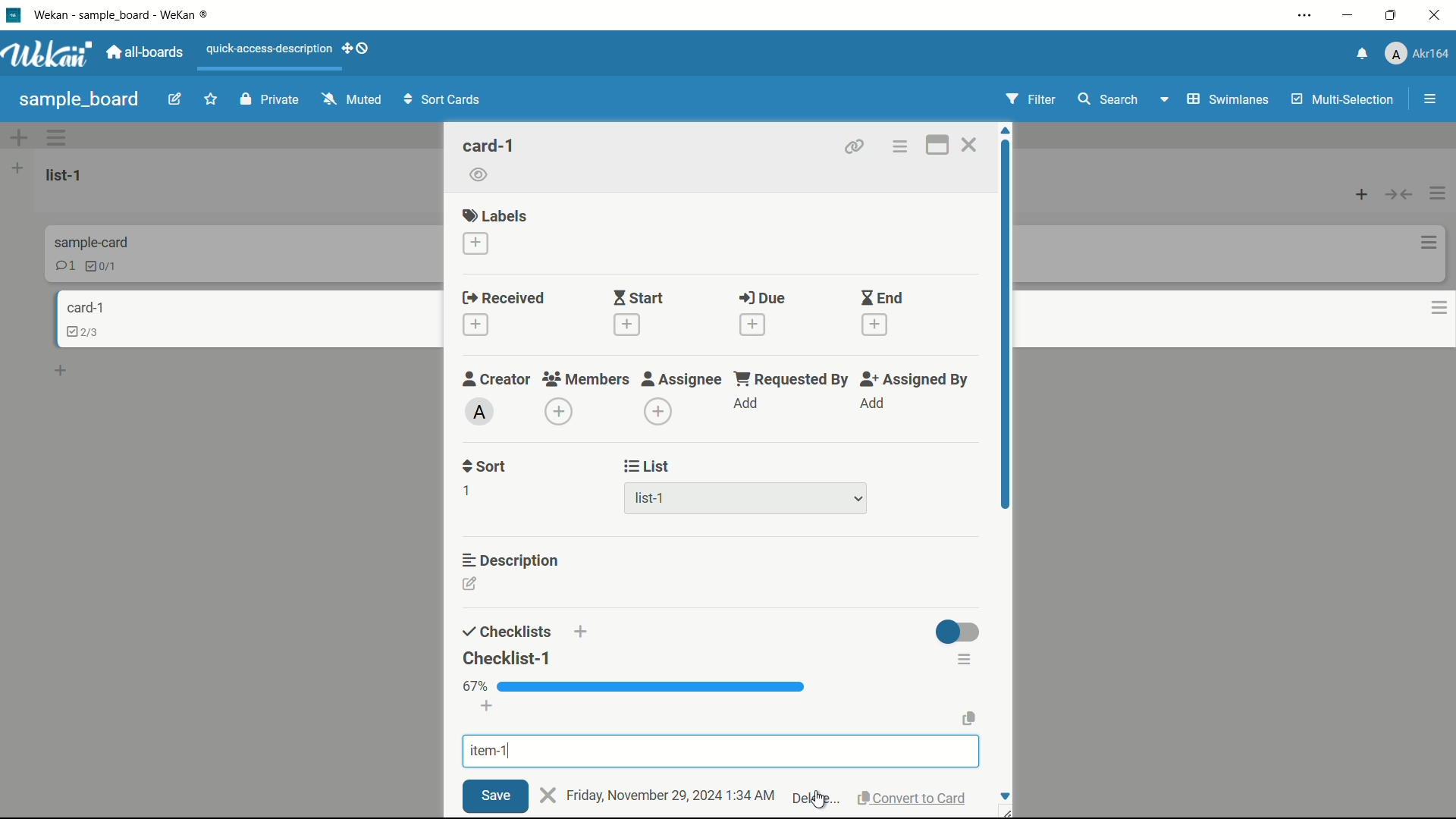  Describe the element at coordinates (497, 796) in the screenshot. I see `save` at that location.